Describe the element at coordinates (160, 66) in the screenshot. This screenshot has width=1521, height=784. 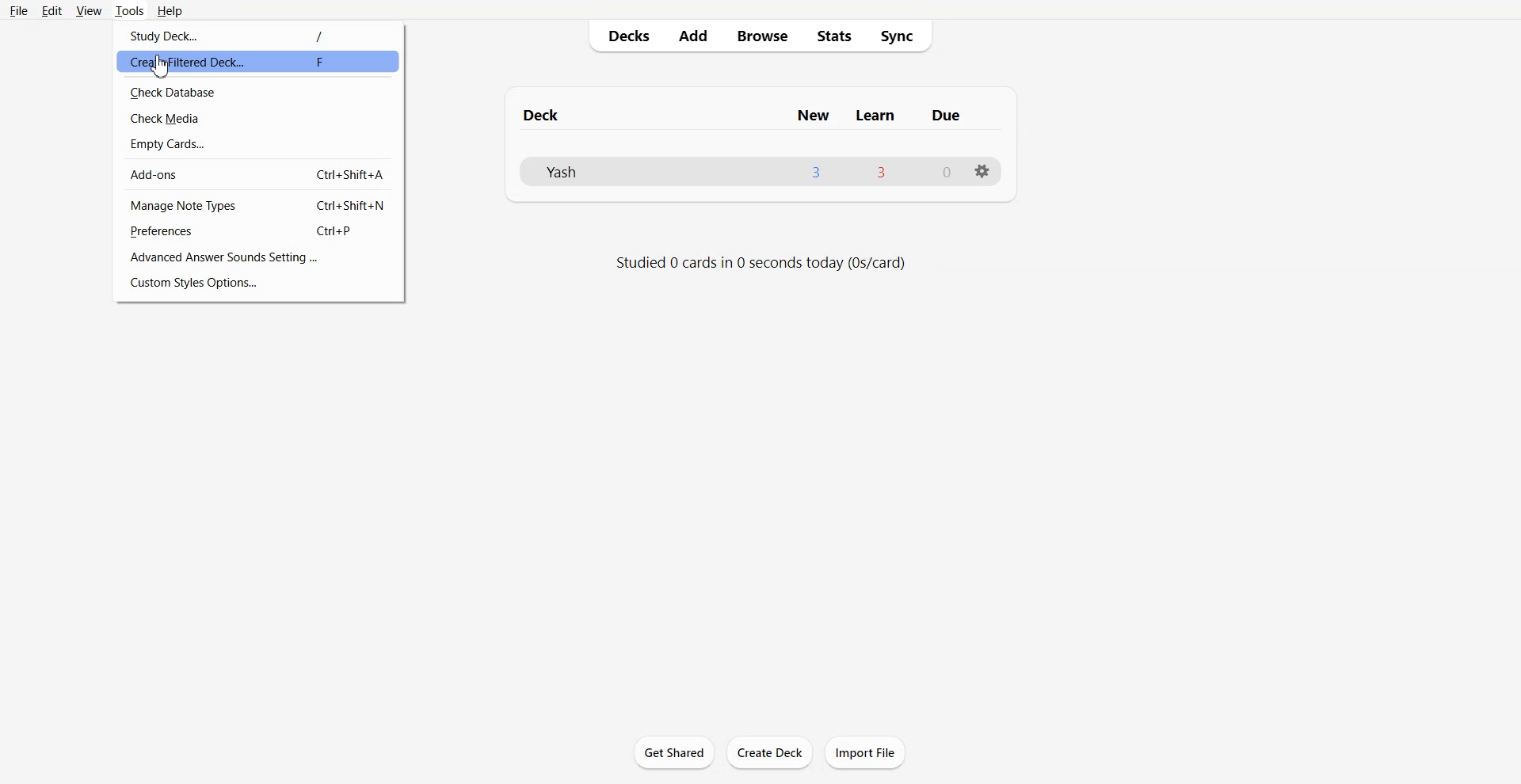
I see `cursor` at that location.